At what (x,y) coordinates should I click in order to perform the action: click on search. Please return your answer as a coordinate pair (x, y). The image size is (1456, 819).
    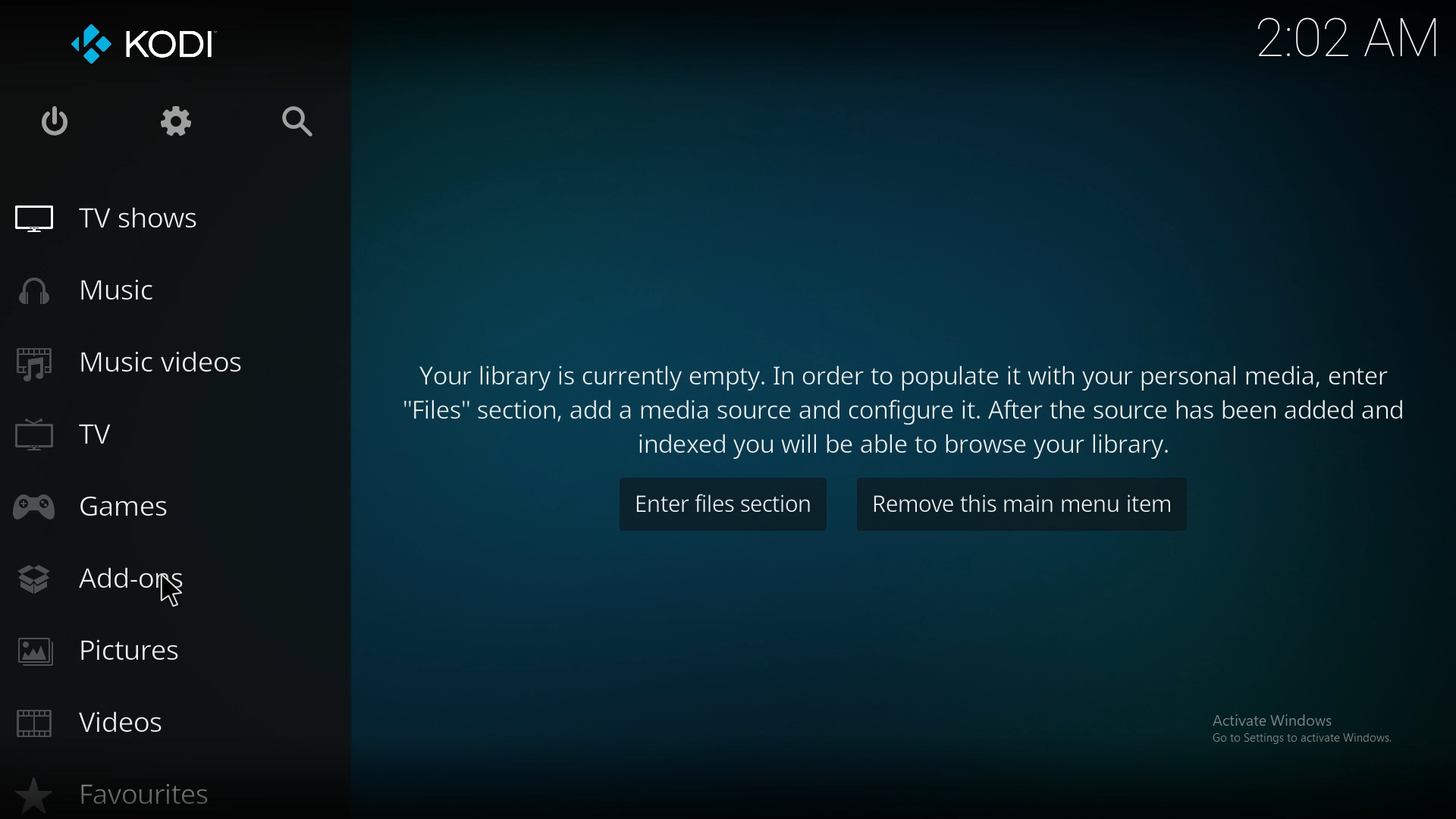
    Looking at the image, I should click on (298, 124).